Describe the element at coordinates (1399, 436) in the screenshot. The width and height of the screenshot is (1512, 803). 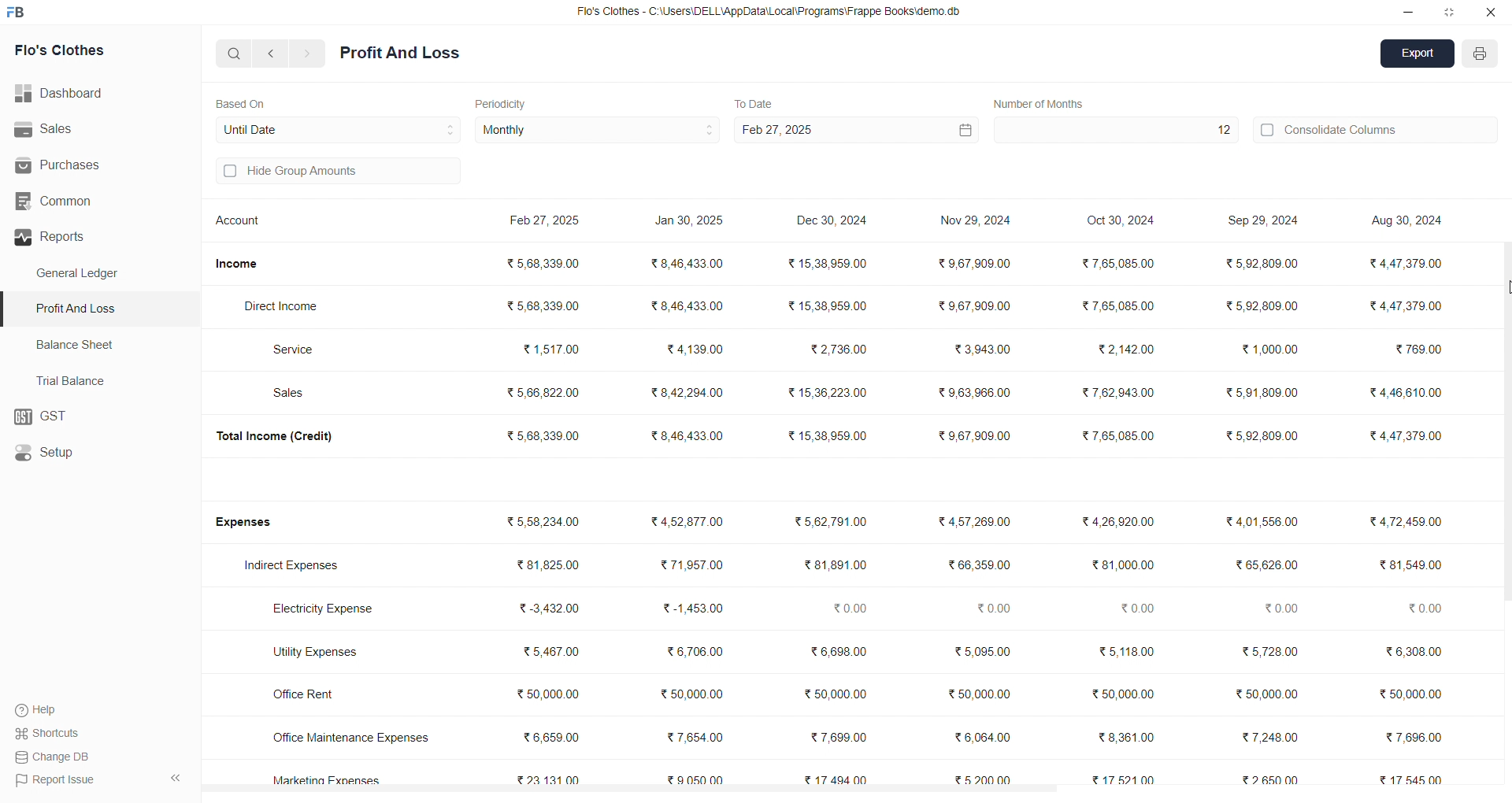
I see `34,47,379.00` at that location.